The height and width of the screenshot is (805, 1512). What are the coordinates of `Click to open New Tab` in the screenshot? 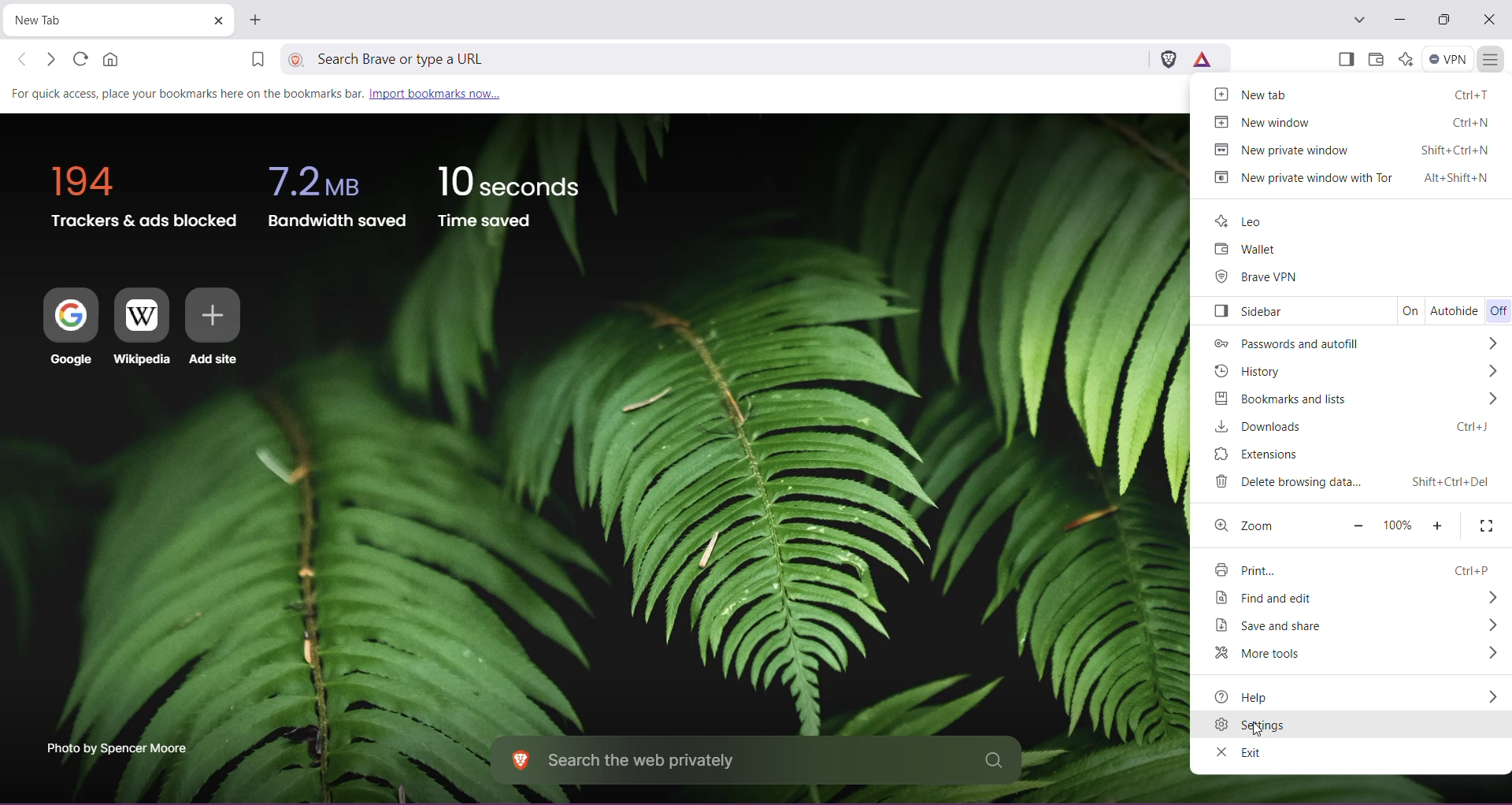 It's located at (255, 20).